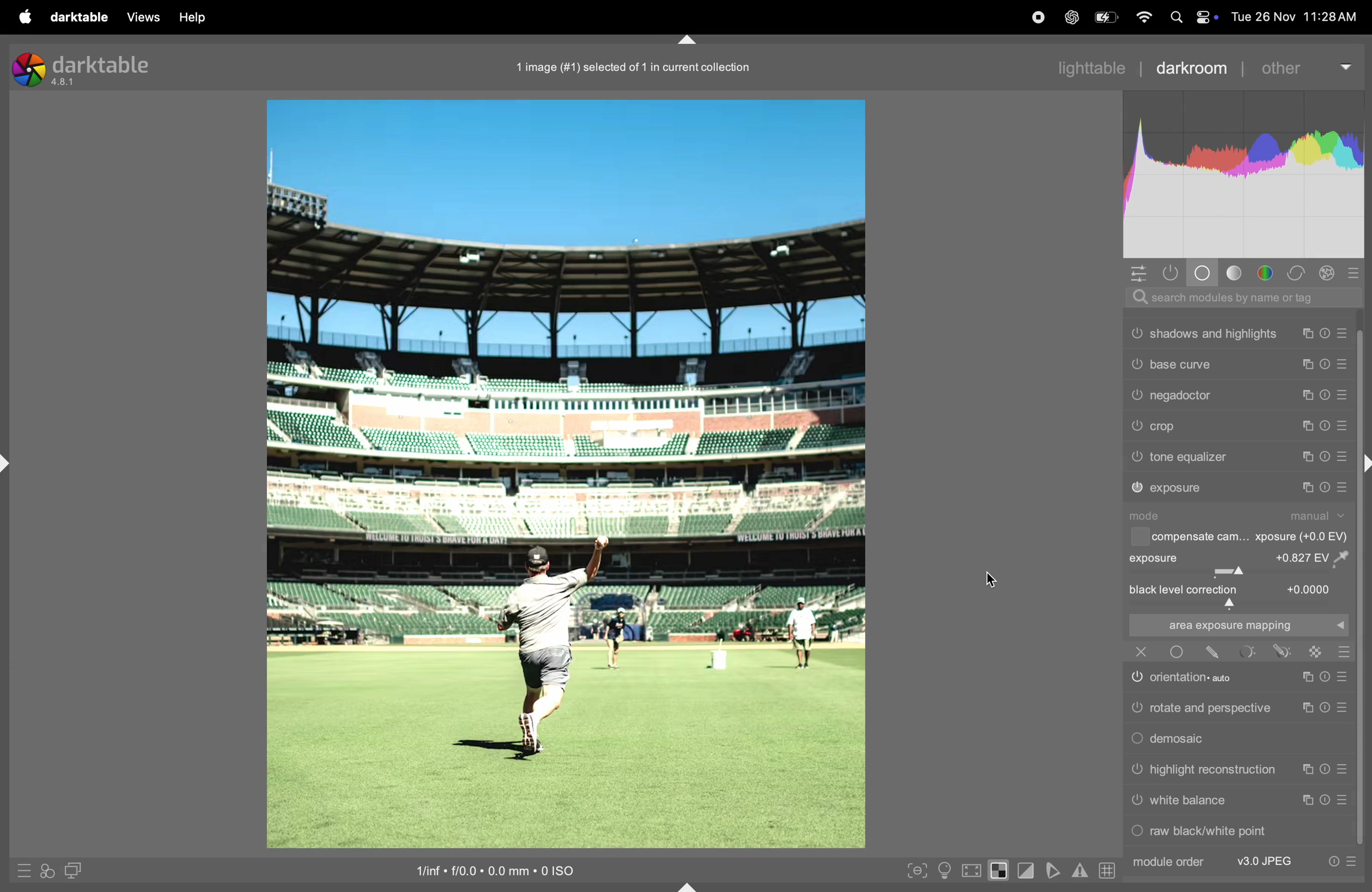  Describe the element at coordinates (28, 70) in the screenshot. I see `logo` at that location.